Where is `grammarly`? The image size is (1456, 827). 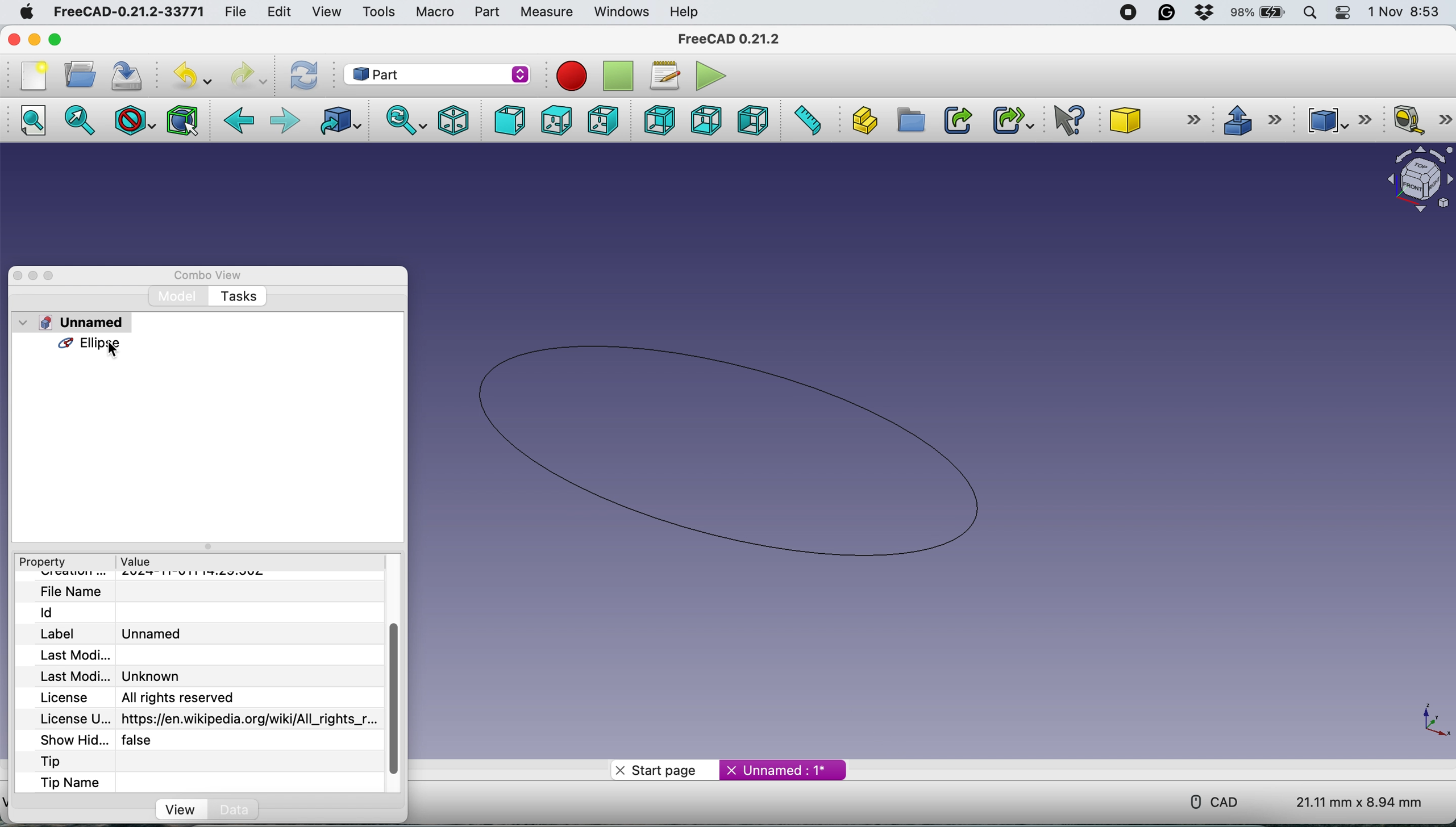 grammarly is located at coordinates (1168, 12).